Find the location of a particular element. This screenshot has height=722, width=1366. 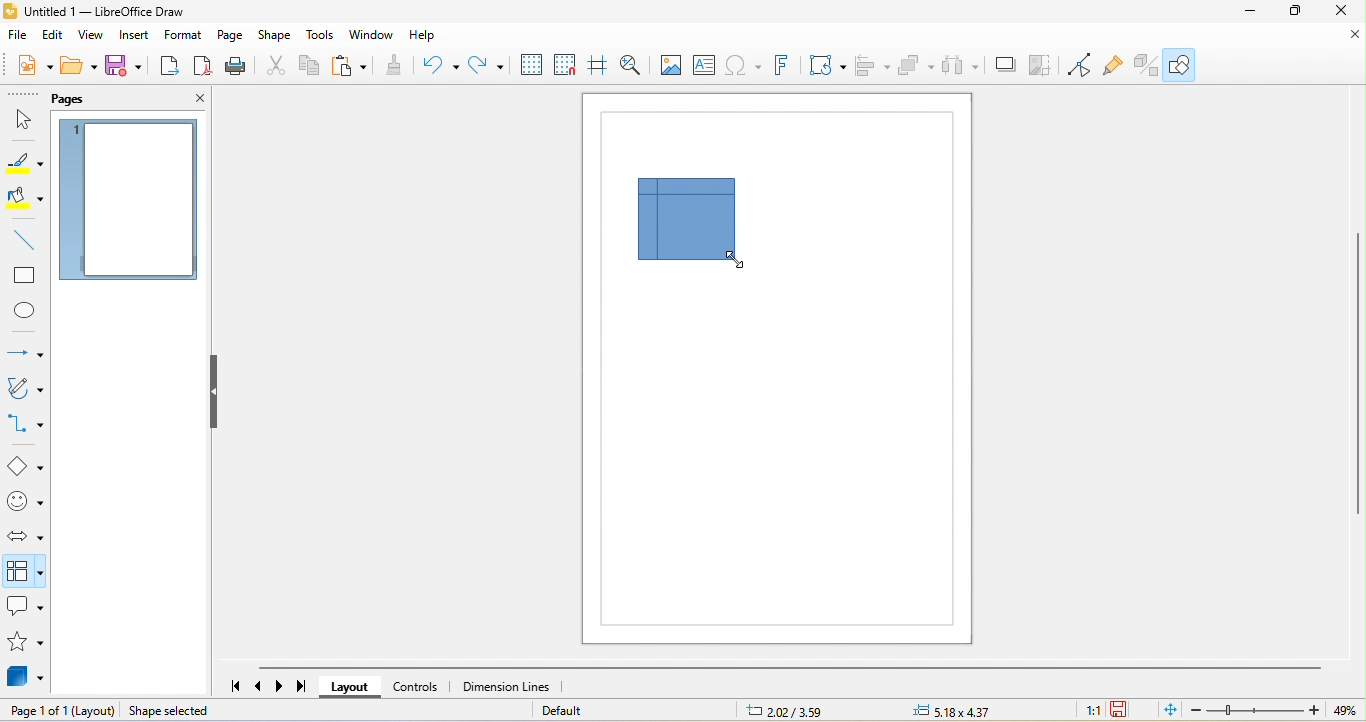

arrange is located at coordinates (916, 67).